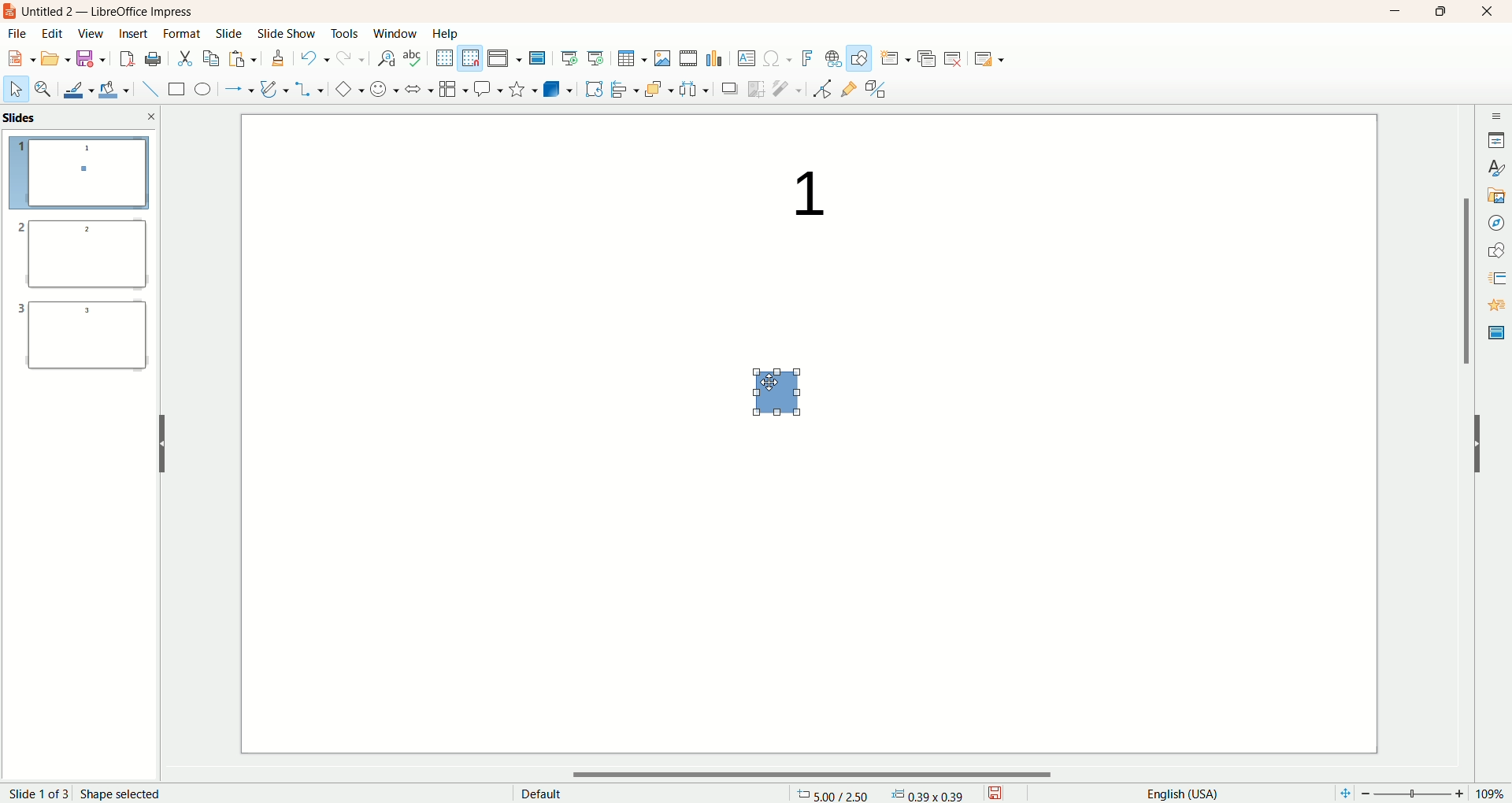 Image resolution: width=1512 pixels, height=803 pixels. Describe the element at coordinates (172, 89) in the screenshot. I see `rectangle` at that location.